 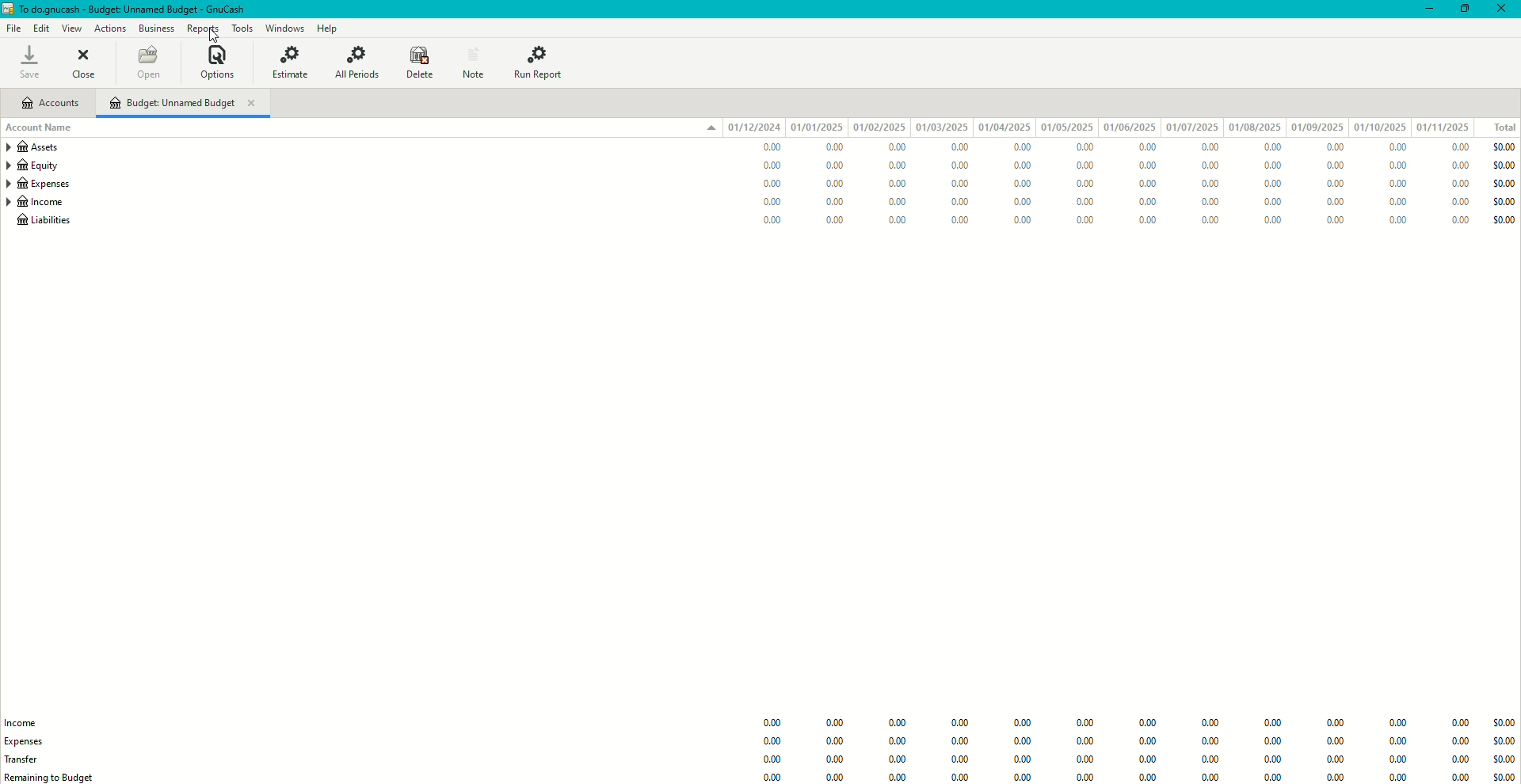 What do you see at coordinates (764, 184) in the screenshot?
I see `0.00` at bounding box center [764, 184].